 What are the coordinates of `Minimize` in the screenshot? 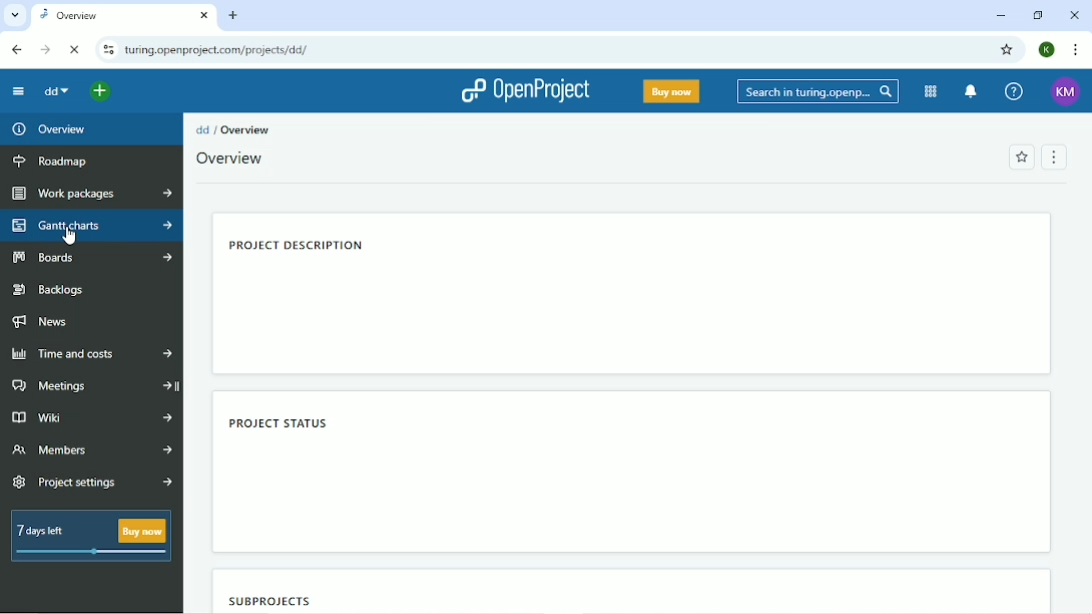 It's located at (1001, 16).